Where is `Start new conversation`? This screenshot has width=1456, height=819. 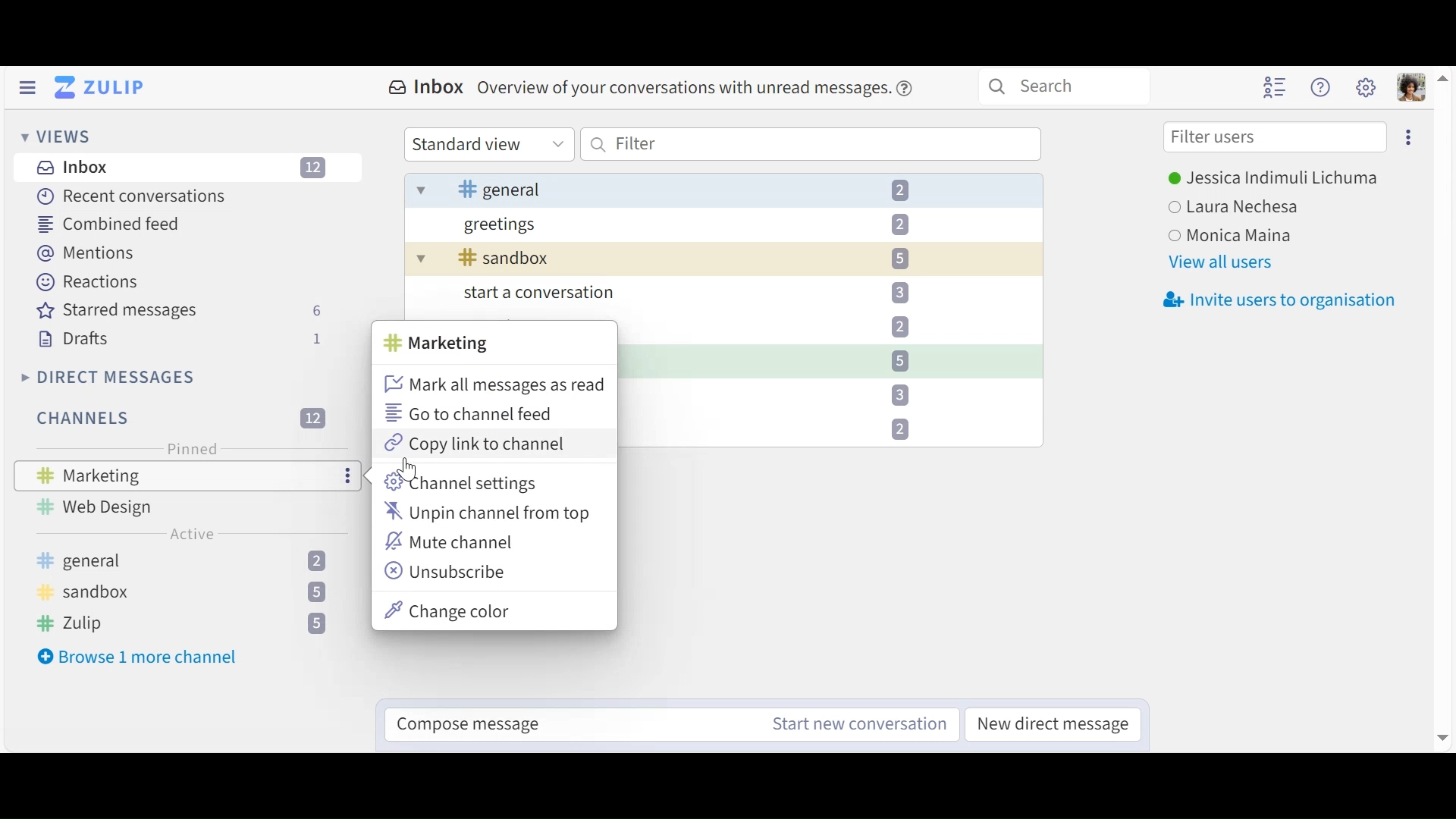
Start new conversation is located at coordinates (849, 723).